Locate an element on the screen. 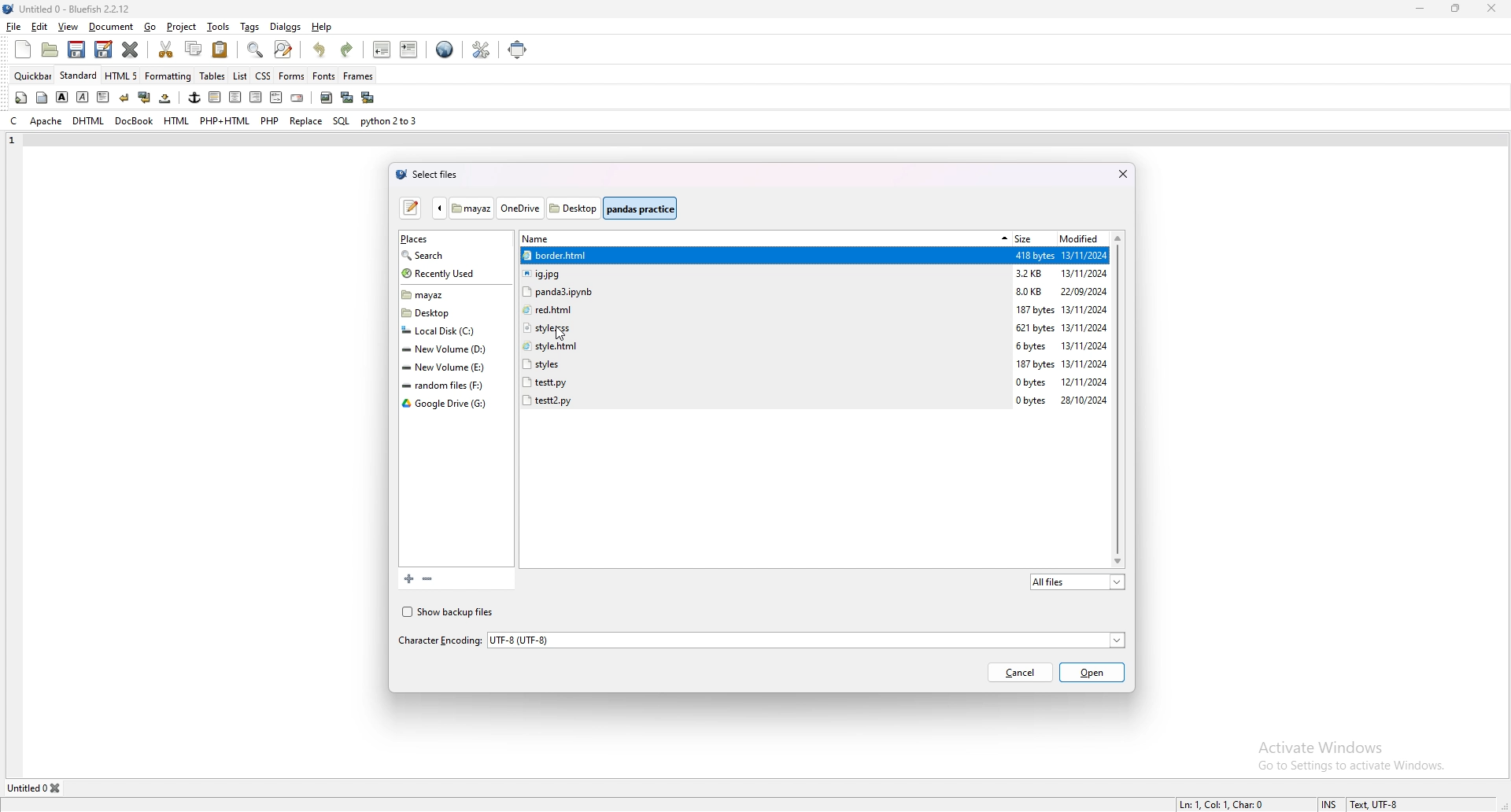 The width and height of the screenshot is (1511, 812). 13/11/2024 is located at coordinates (1084, 327).